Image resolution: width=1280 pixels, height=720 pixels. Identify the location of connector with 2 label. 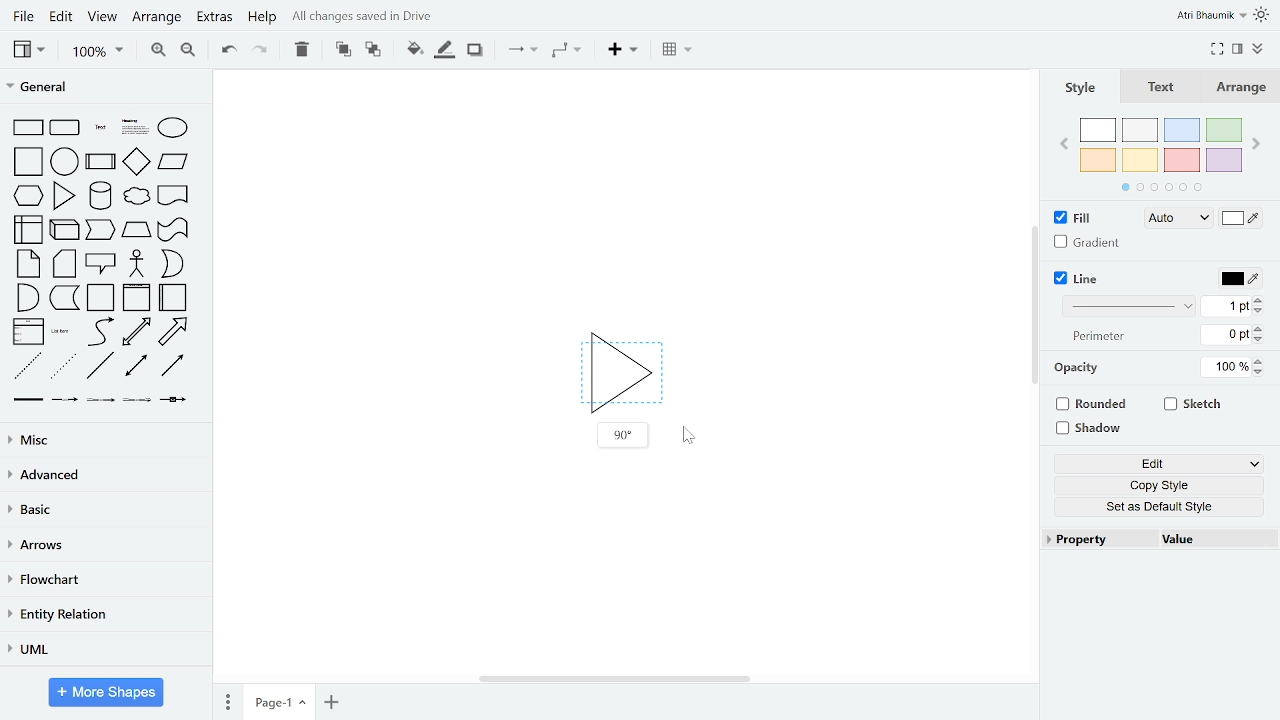
(101, 402).